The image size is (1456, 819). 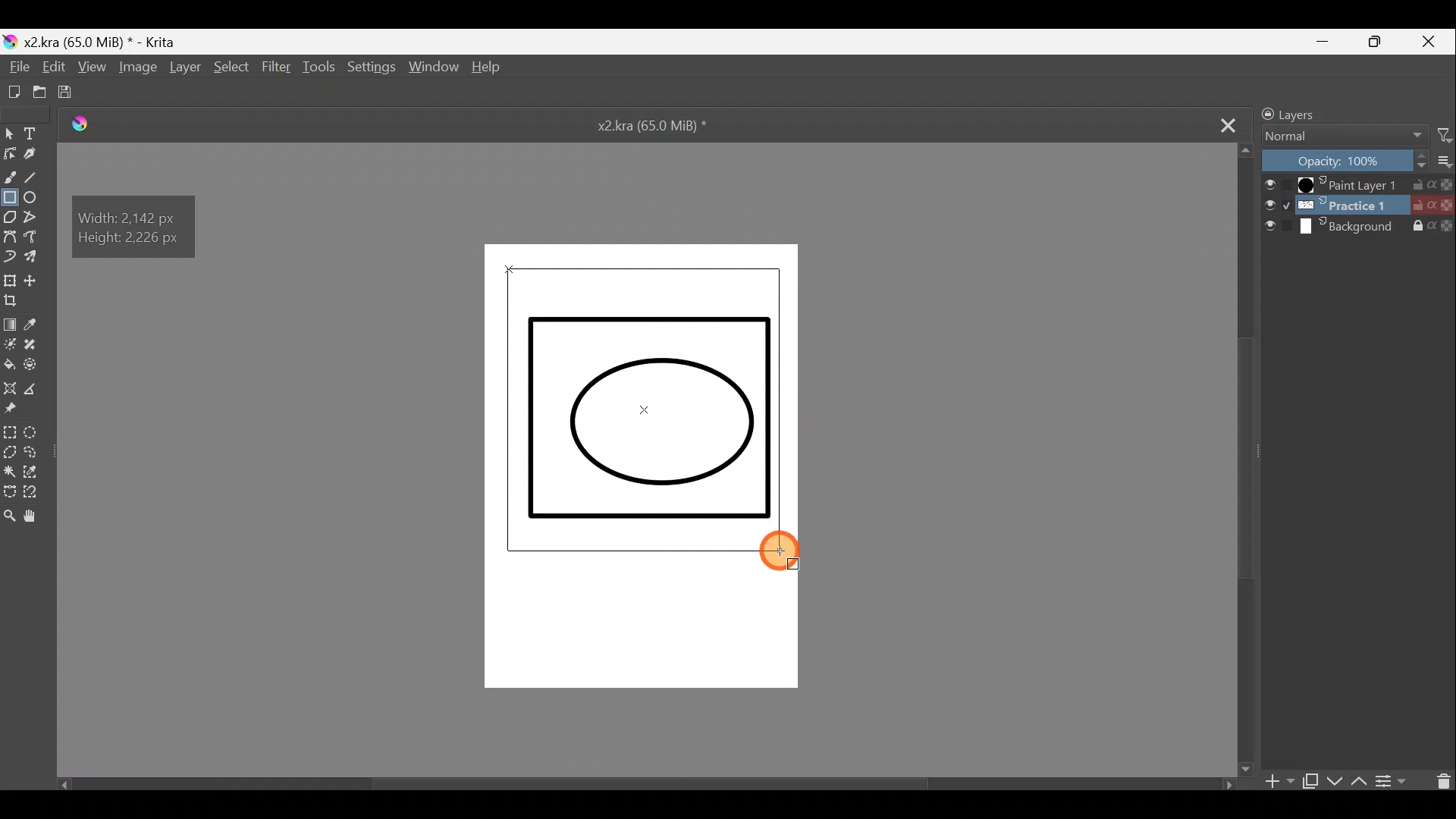 I want to click on Contiguous selection tool, so click(x=10, y=473).